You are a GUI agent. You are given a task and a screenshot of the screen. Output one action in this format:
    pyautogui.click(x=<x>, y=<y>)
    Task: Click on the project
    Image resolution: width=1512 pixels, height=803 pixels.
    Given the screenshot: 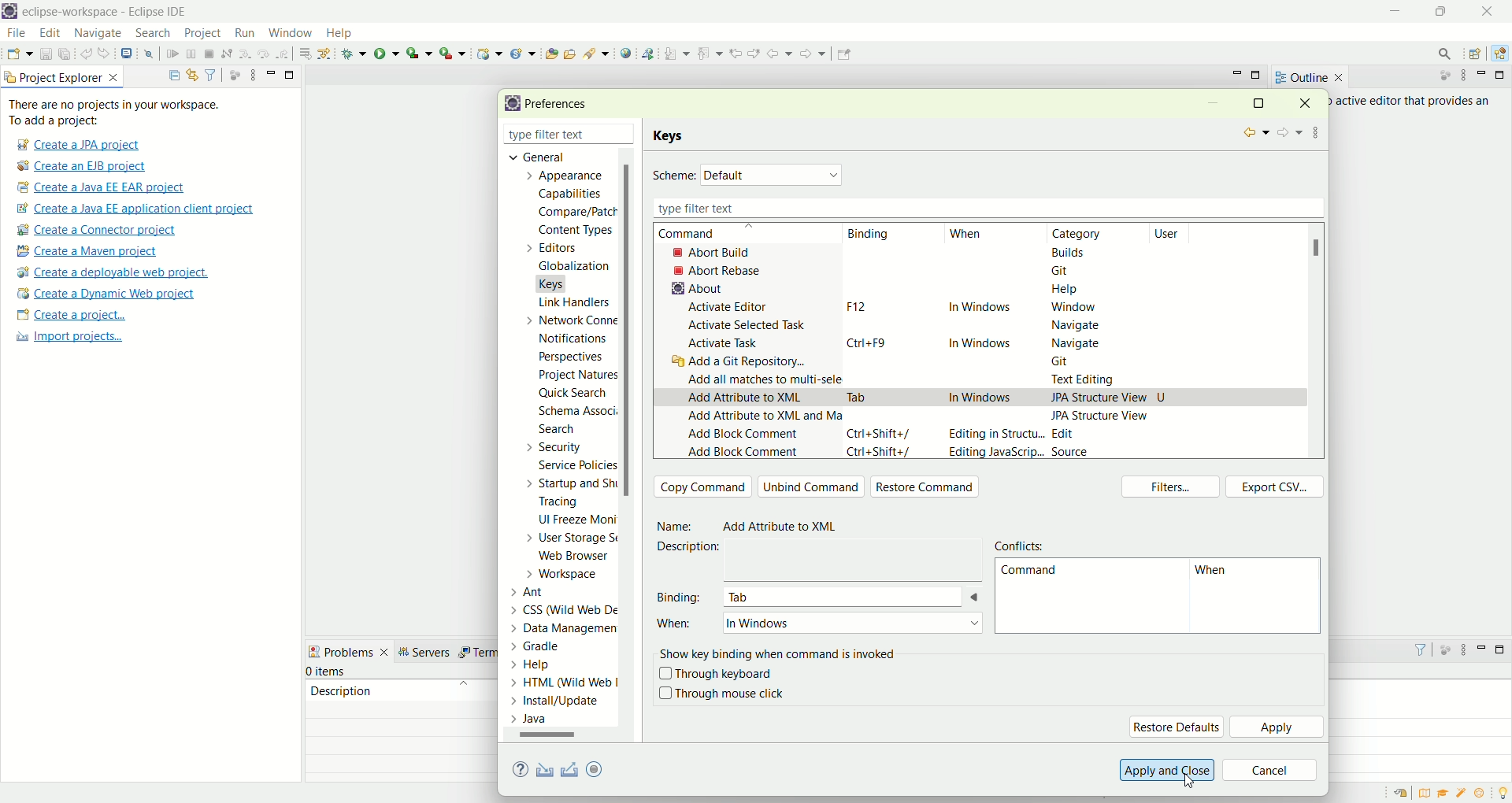 What is the action you would take?
    pyautogui.click(x=202, y=33)
    